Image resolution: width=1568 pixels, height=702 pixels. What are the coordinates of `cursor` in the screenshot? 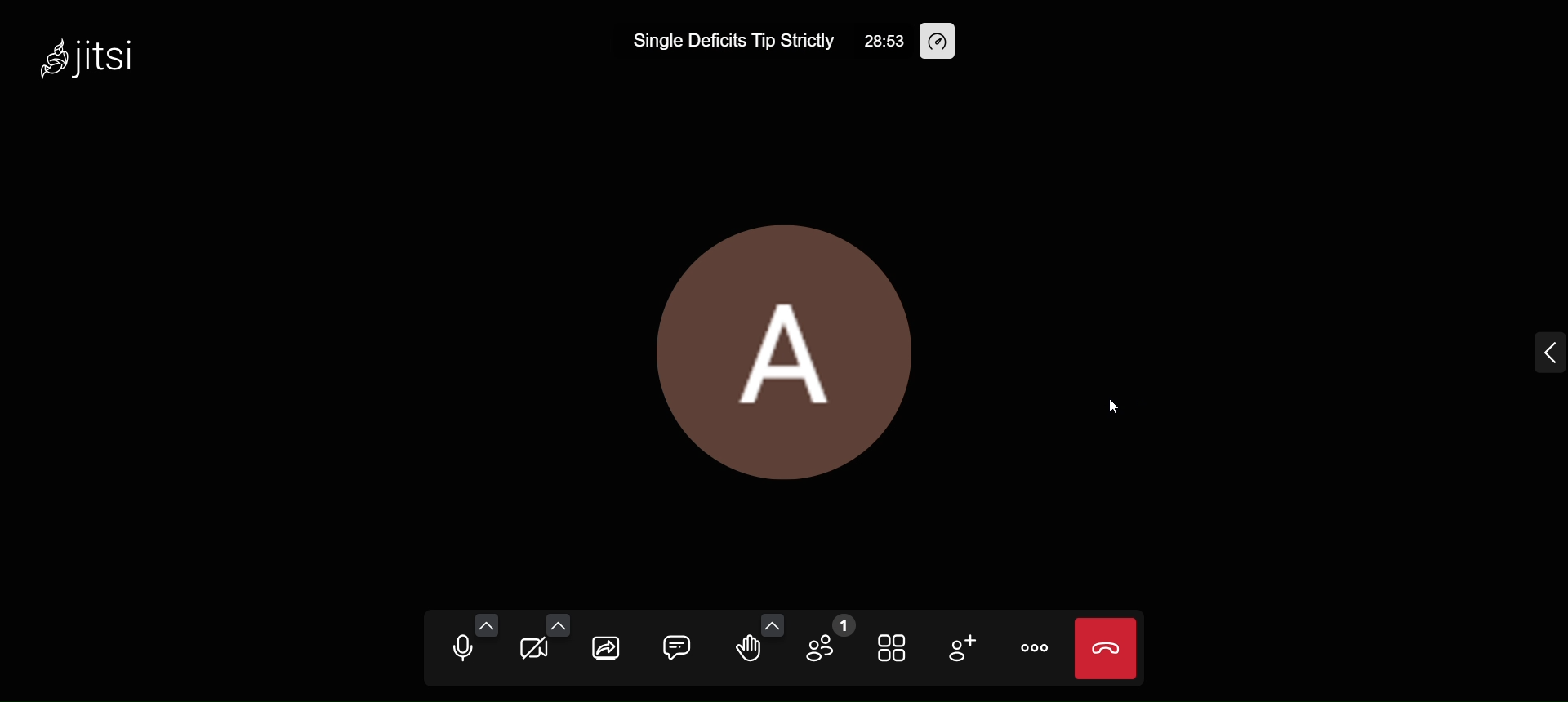 It's located at (1117, 411).